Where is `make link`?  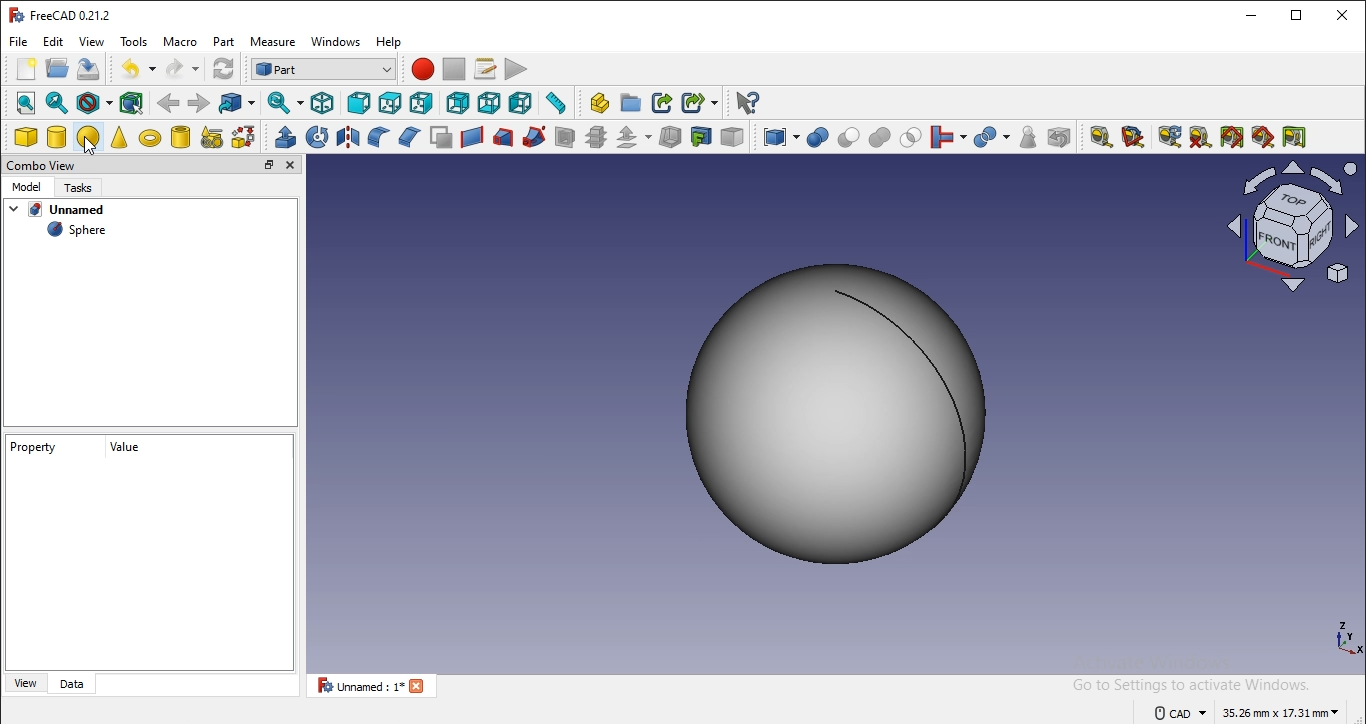 make link is located at coordinates (663, 103).